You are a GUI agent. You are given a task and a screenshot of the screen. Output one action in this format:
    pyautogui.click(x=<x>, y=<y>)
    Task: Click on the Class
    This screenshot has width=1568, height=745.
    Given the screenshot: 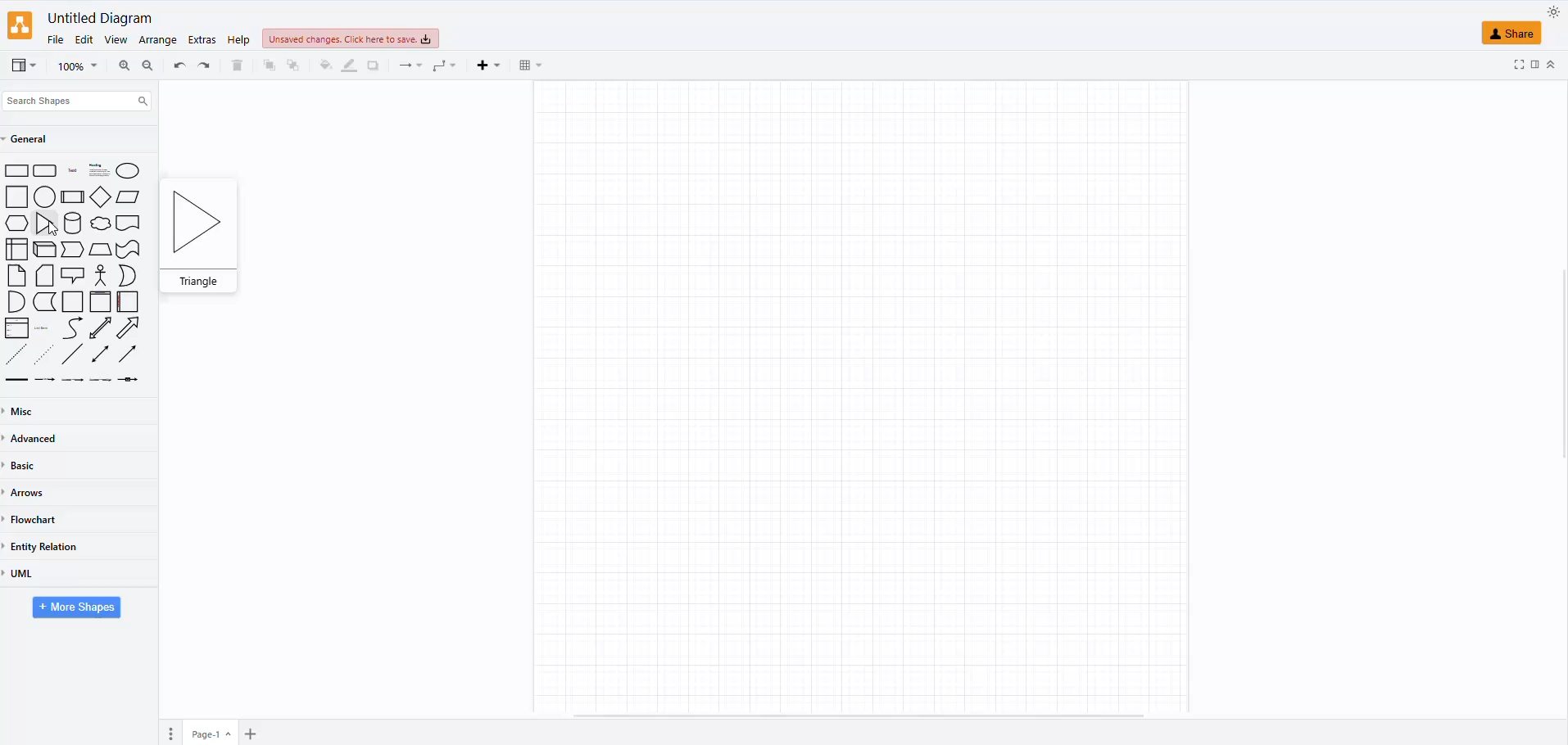 What is the action you would take?
    pyautogui.click(x=17, y=328)
    